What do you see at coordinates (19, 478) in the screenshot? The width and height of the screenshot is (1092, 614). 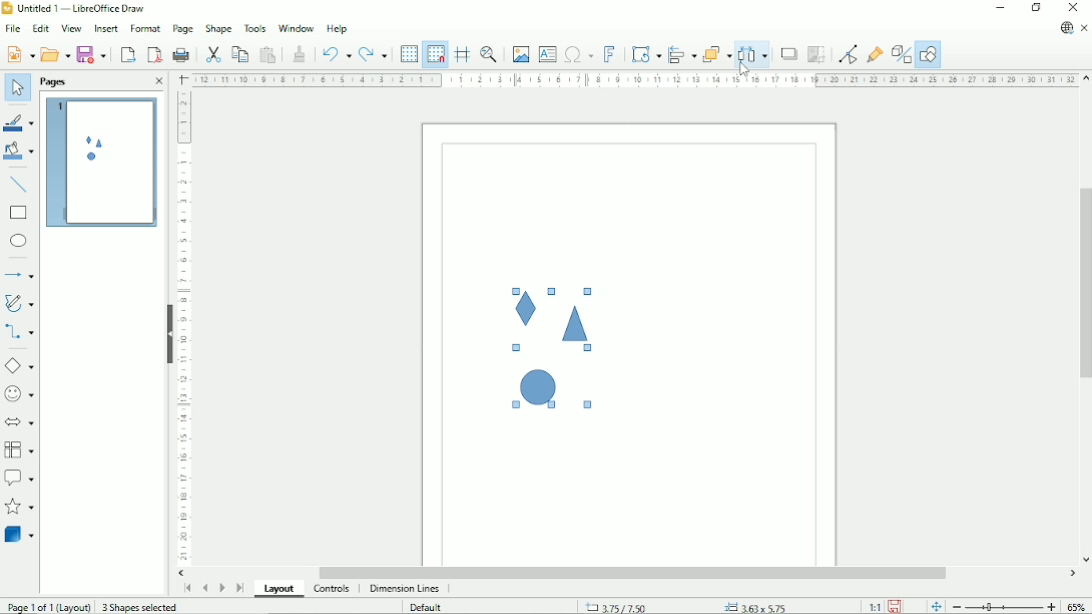 I see `Callout` at bounding box center [19, 478].